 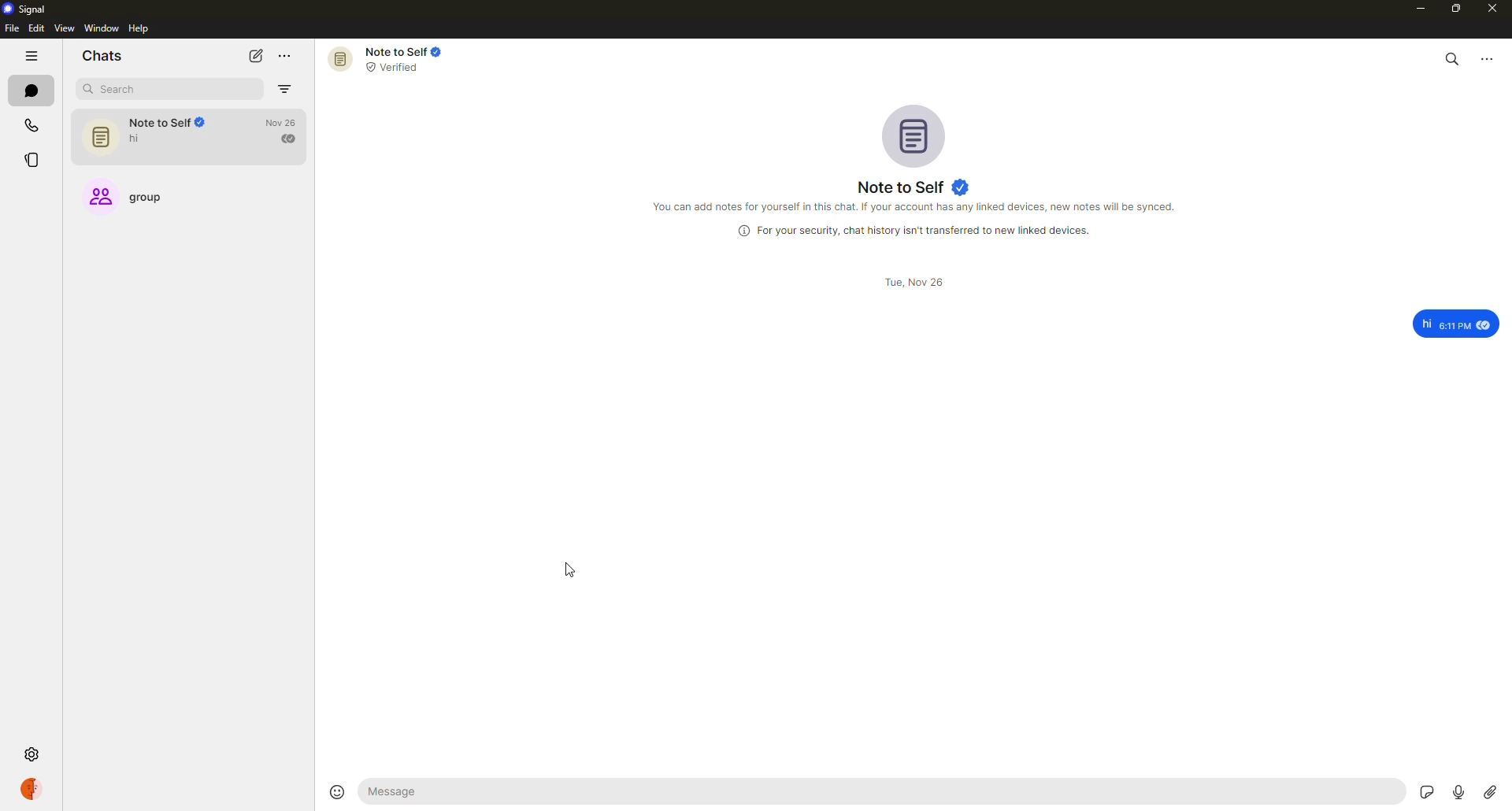 I want to click on note to self, so click(x=191, y=135).